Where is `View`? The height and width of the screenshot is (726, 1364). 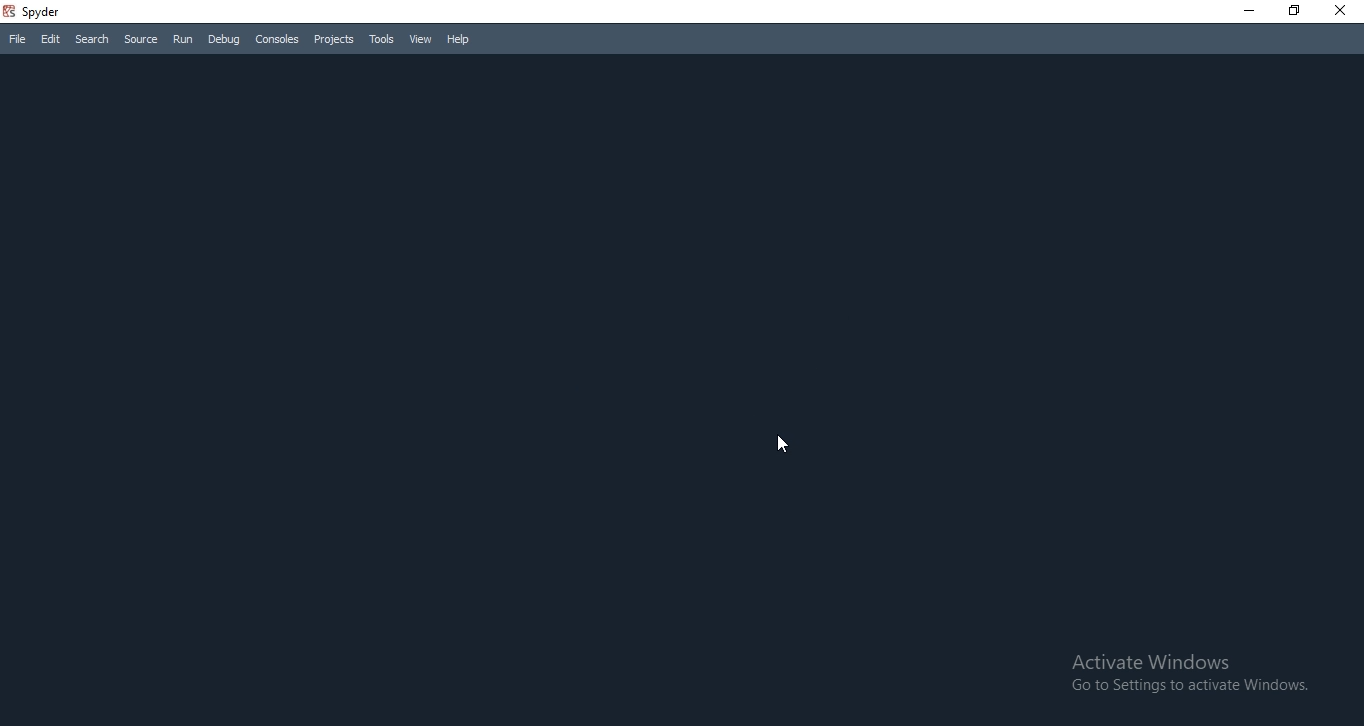 View is located at coordinates (420, 41).